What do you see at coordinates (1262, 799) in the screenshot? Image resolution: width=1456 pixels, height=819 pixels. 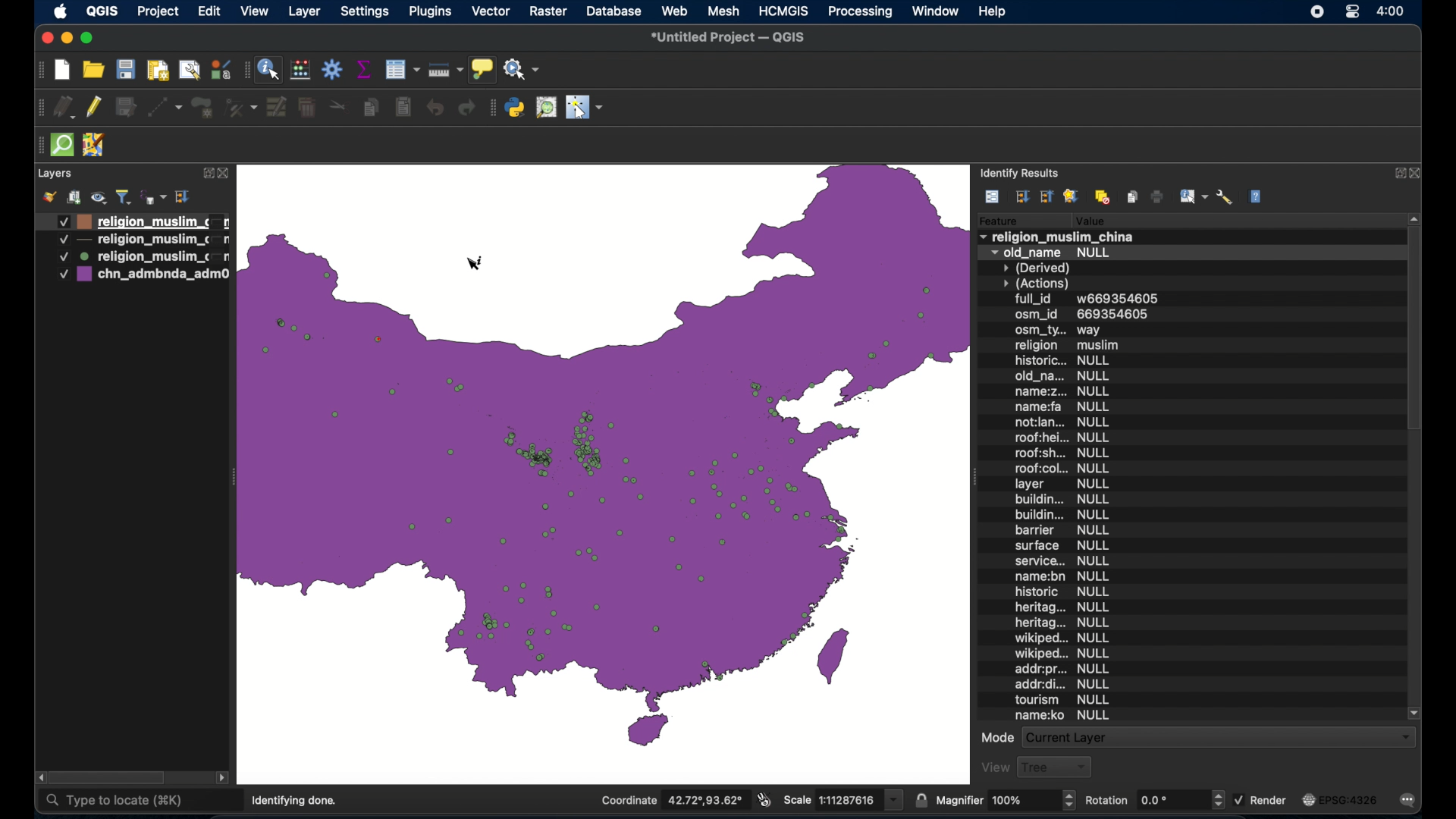 I see `render` at bounding box center [1262, 799].